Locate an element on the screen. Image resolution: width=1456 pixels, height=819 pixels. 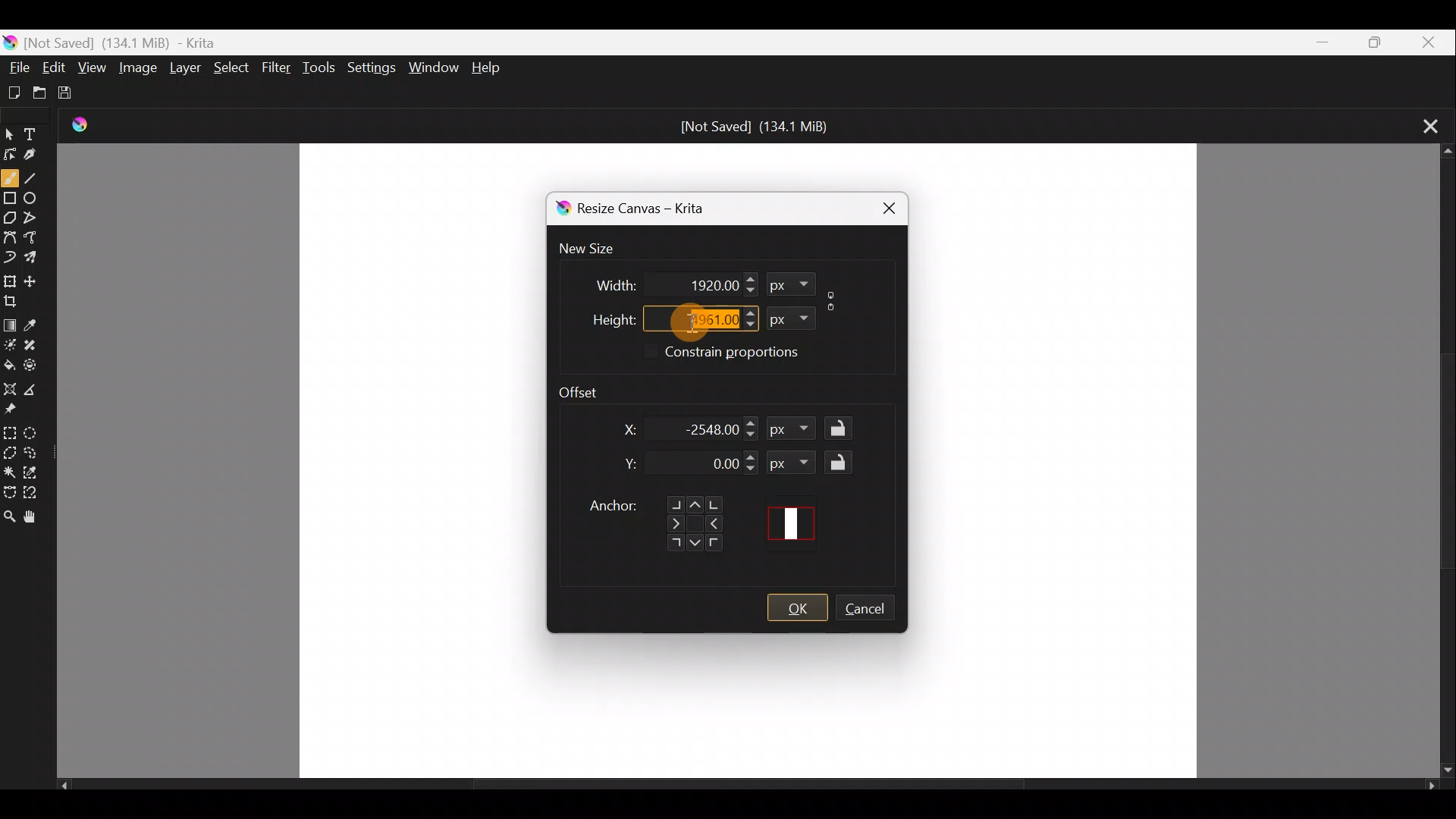
View is located at coordinates (93, 67).